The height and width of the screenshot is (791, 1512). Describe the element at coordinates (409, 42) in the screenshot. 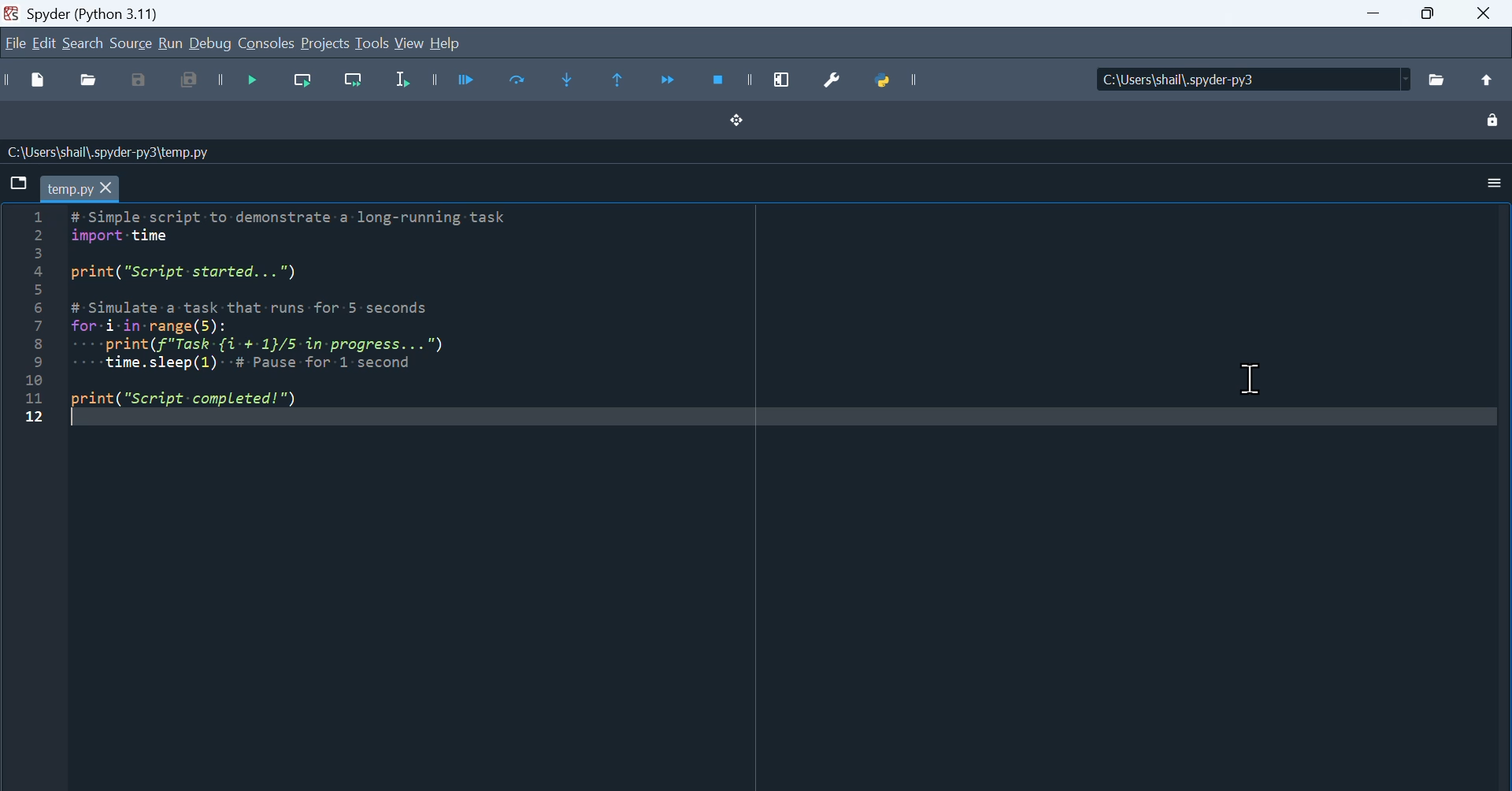

I see `View` at that location.